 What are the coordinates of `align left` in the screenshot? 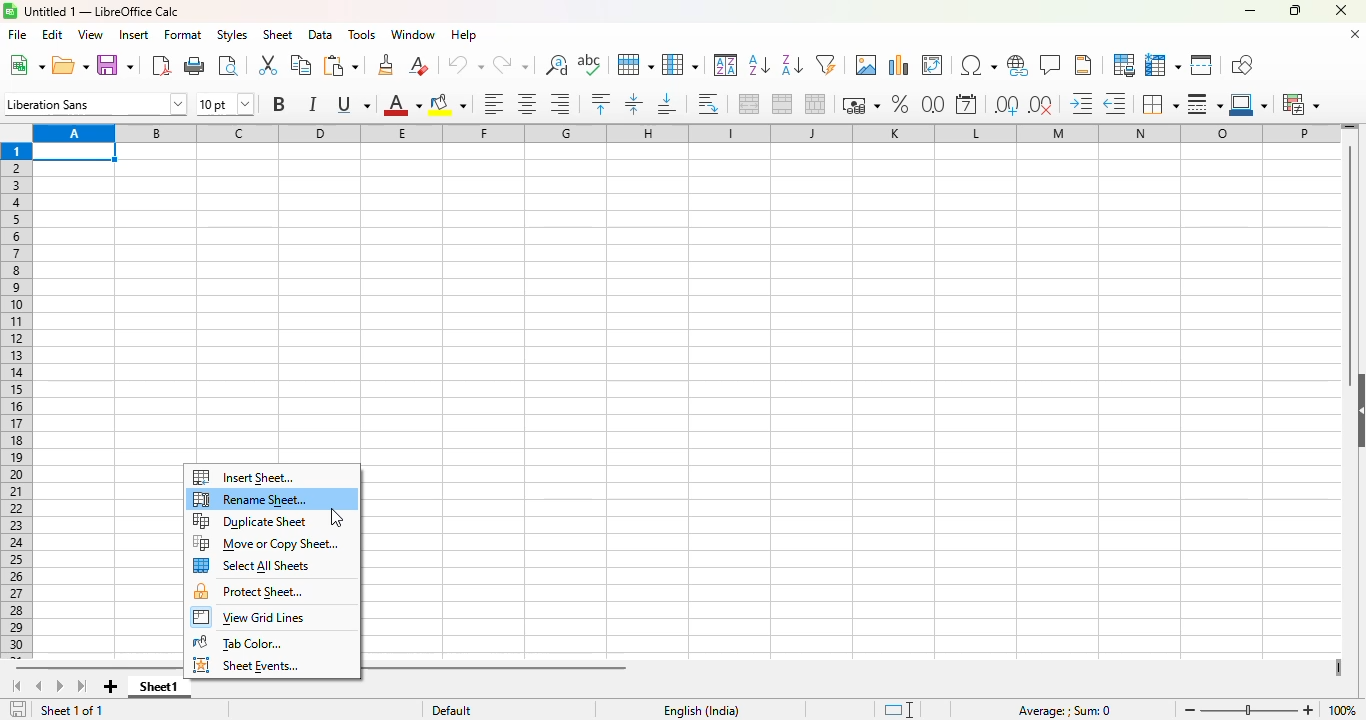 It's located at (495, 104).